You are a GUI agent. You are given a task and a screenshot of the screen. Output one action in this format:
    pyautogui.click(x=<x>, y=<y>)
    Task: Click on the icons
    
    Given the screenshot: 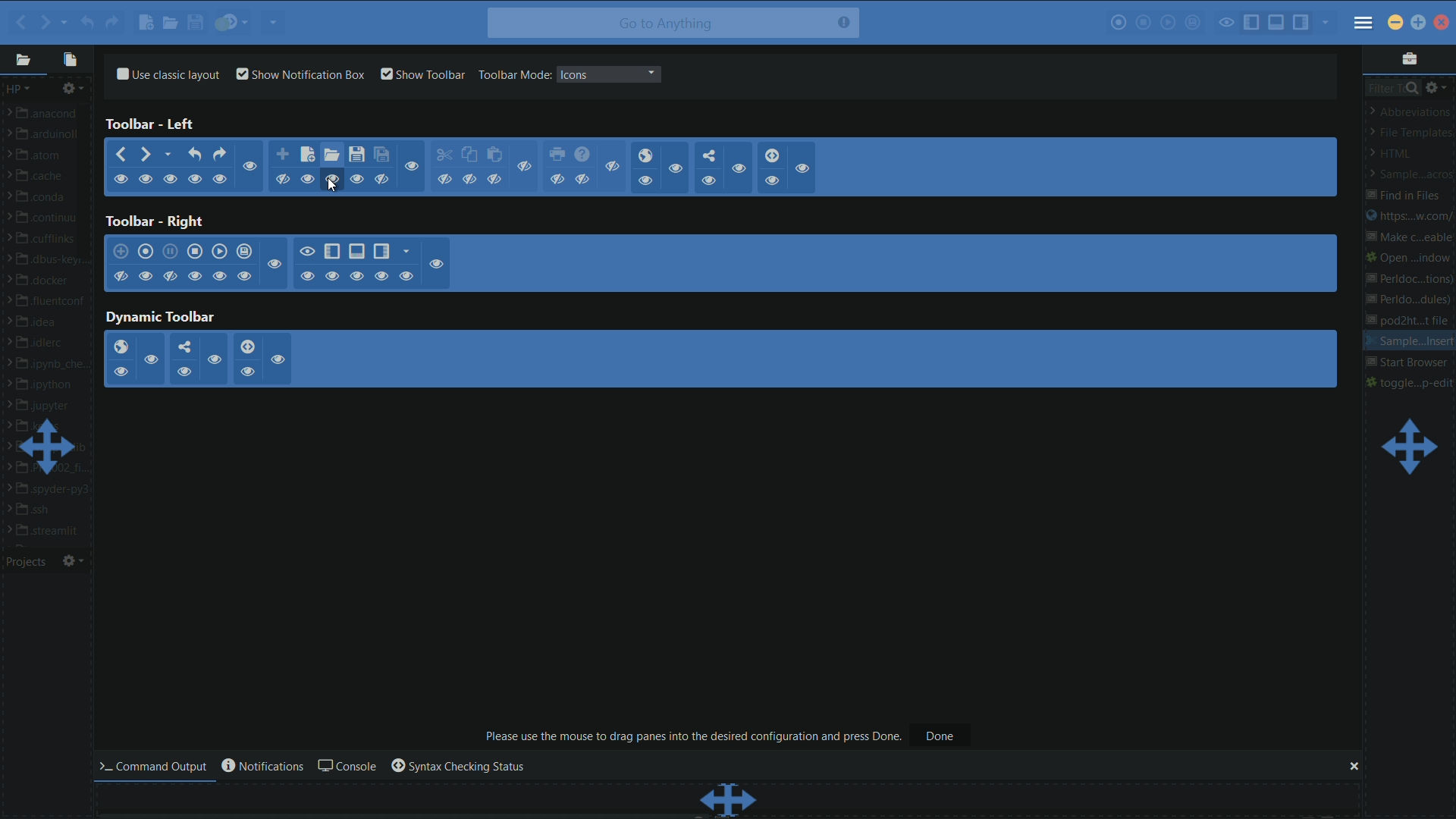 What is the action you would take?
    pyautogui.click(x=574, y=74)
    